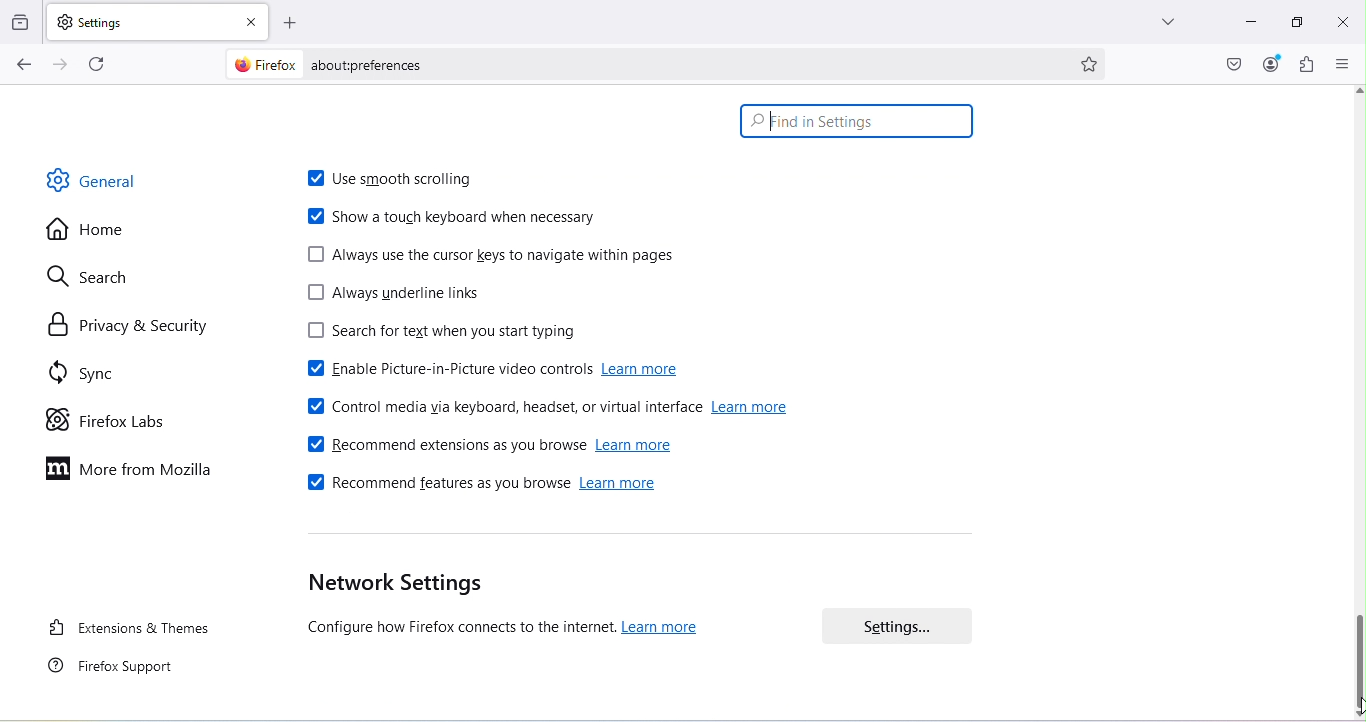 Image resolution: width=1366 pixels, height=722 pixels. What do you see at coordinates (1357, 699) in the screenshot?
I see `cursor` at bounding box center [1357, 699].